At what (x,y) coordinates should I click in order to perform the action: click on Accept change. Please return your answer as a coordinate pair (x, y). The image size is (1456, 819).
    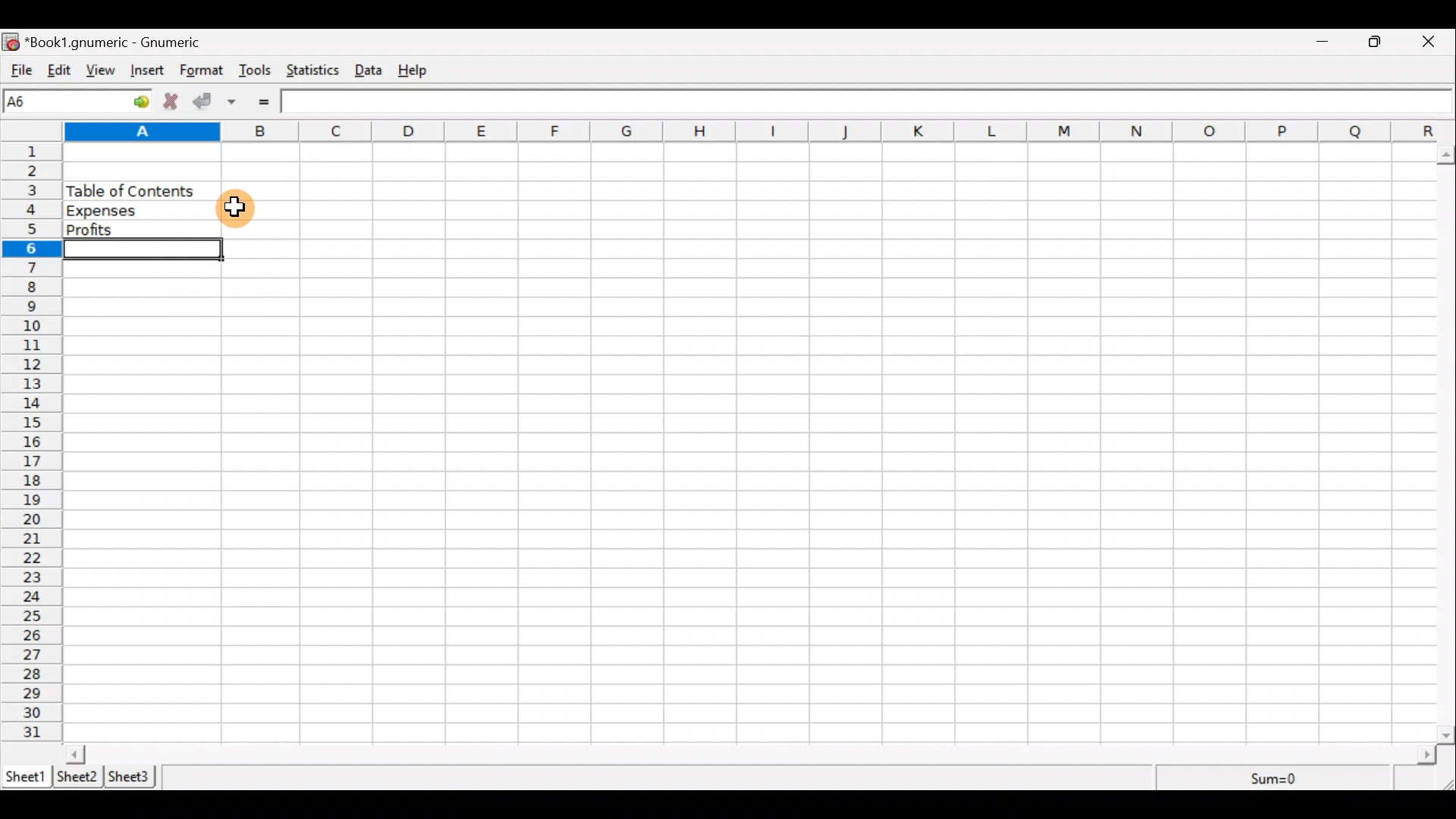
    Looking at the image, I should click on (206, 102).